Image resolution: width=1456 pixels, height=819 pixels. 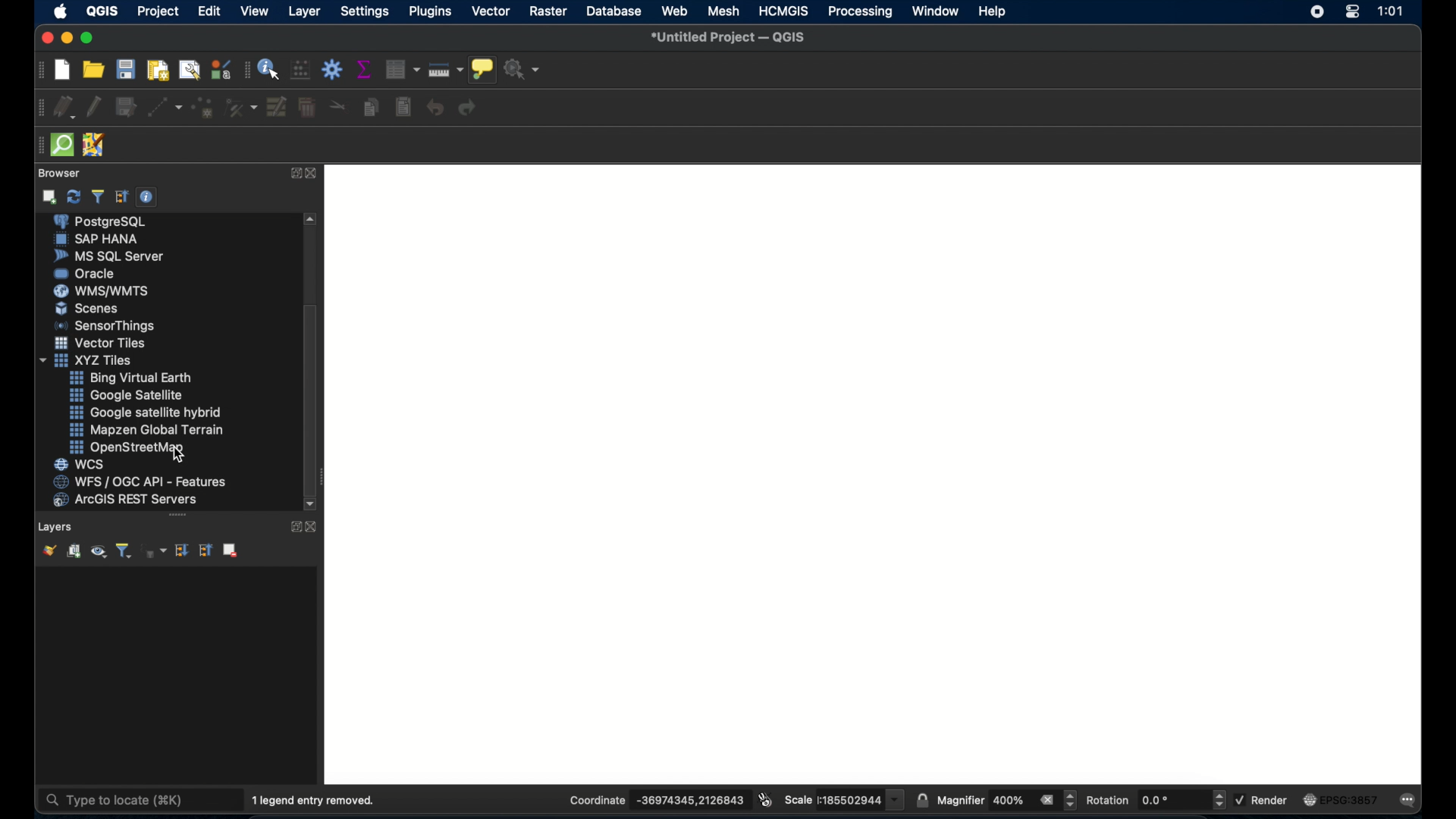 I want to click on drag handle, so click(x=177, y=516).